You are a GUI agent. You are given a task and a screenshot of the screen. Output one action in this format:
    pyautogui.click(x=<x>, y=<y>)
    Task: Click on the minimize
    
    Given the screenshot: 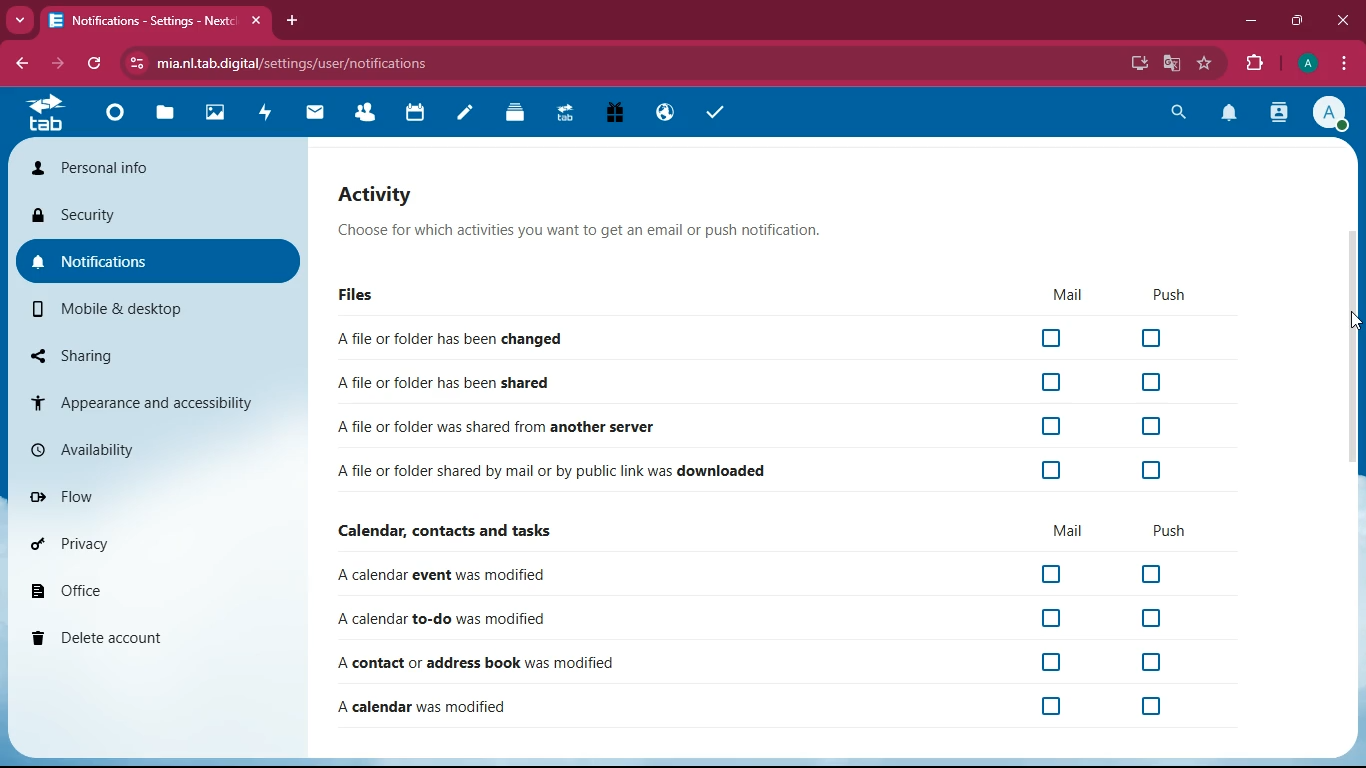 What is the action you would take?
    pyautogui.click(x=1250, y=22)
    